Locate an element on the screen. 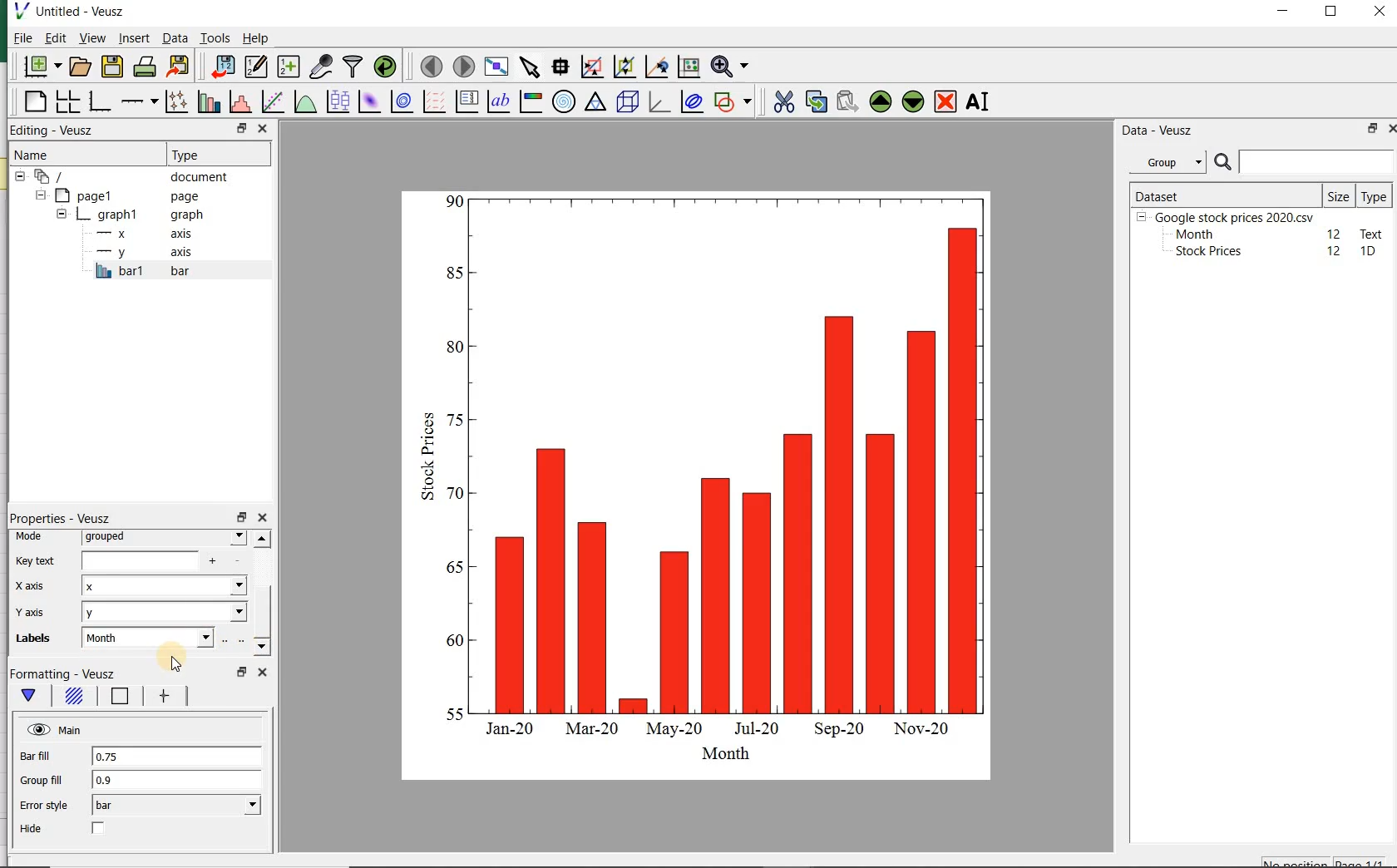 The image size is (1397, 868). File is located at coordinates (18, 40).